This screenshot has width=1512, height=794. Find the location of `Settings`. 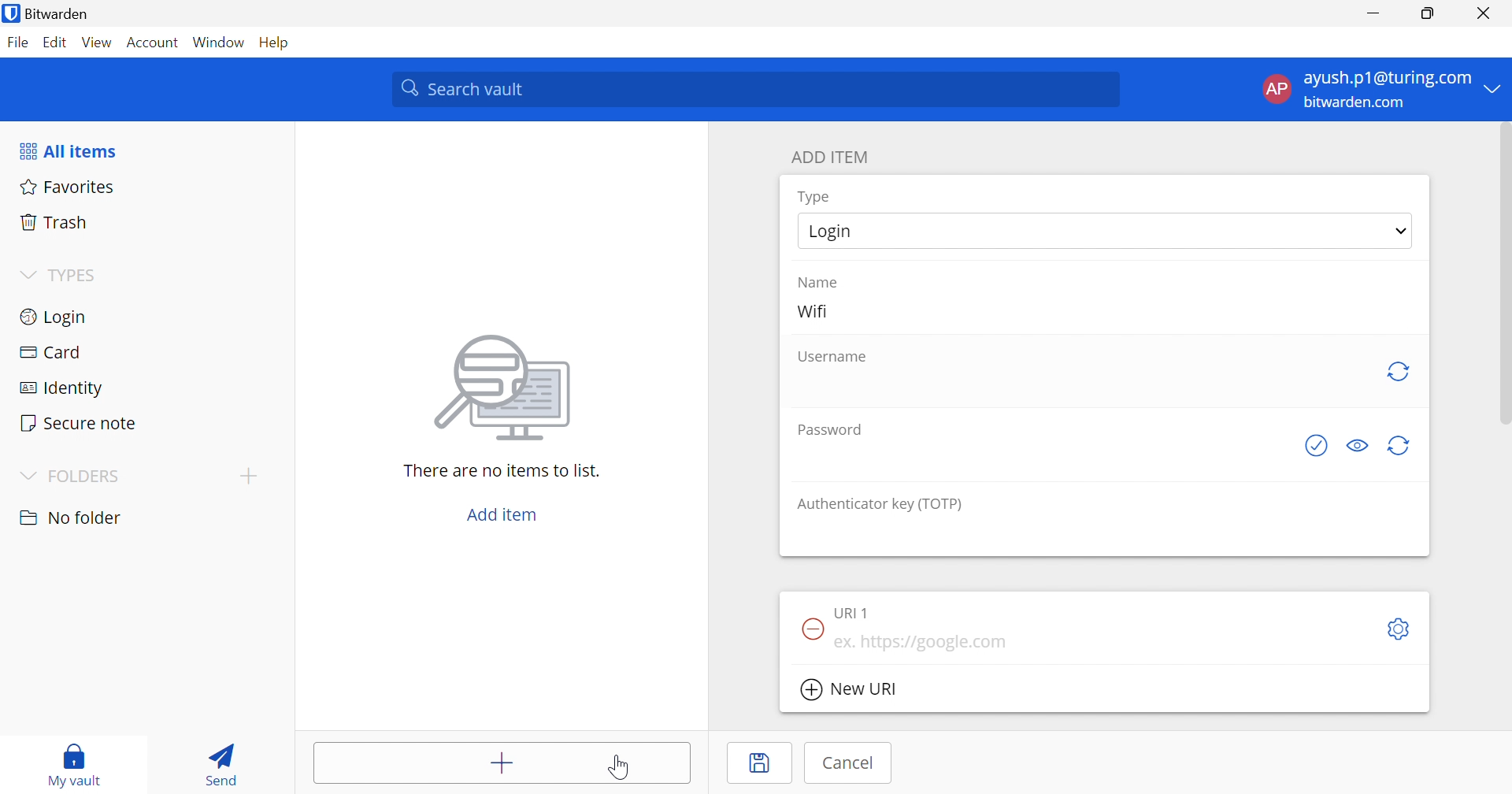

Settings is located at coordinates (1402, 630).